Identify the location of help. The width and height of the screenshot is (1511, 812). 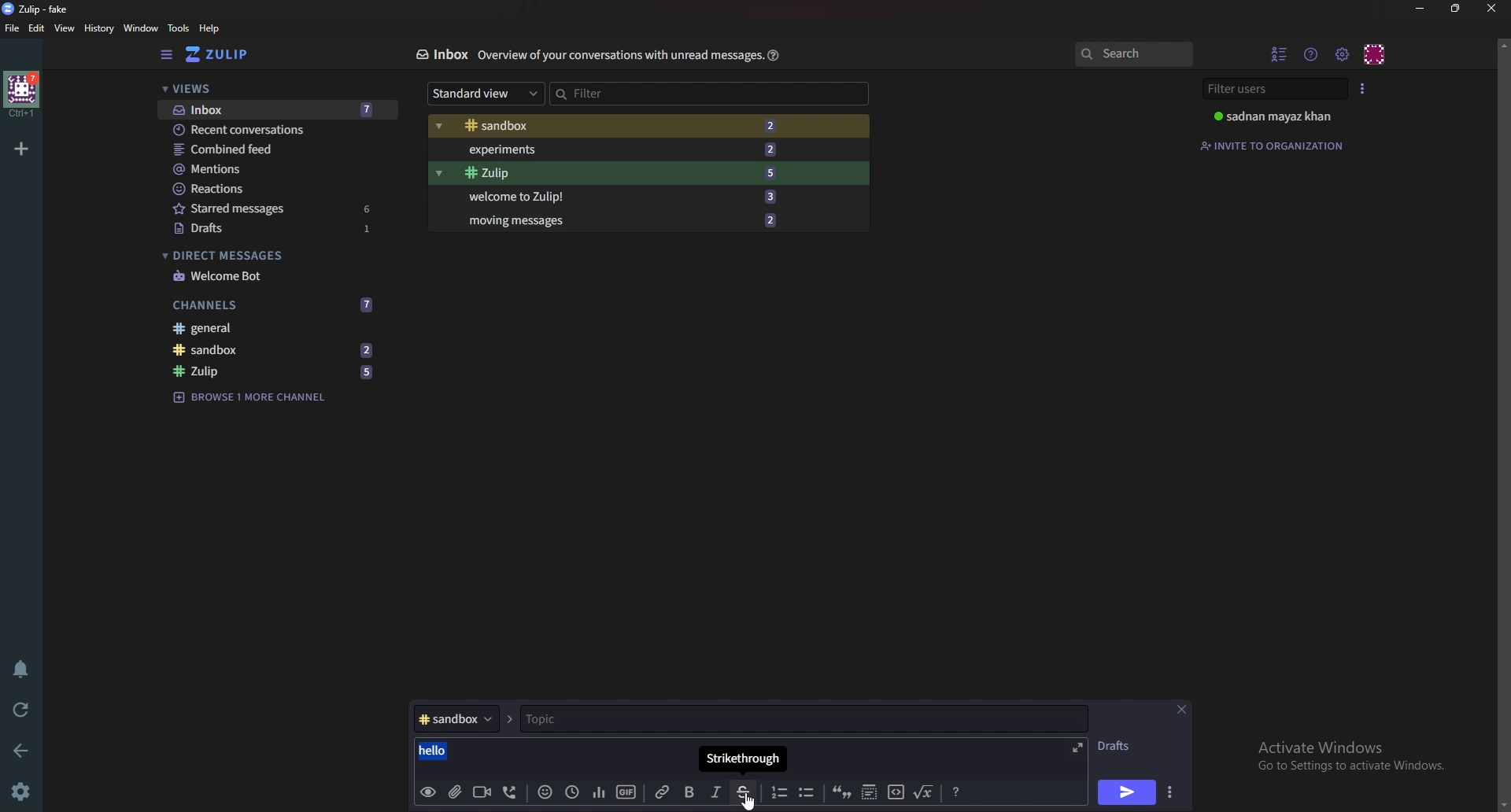
(210, 28).